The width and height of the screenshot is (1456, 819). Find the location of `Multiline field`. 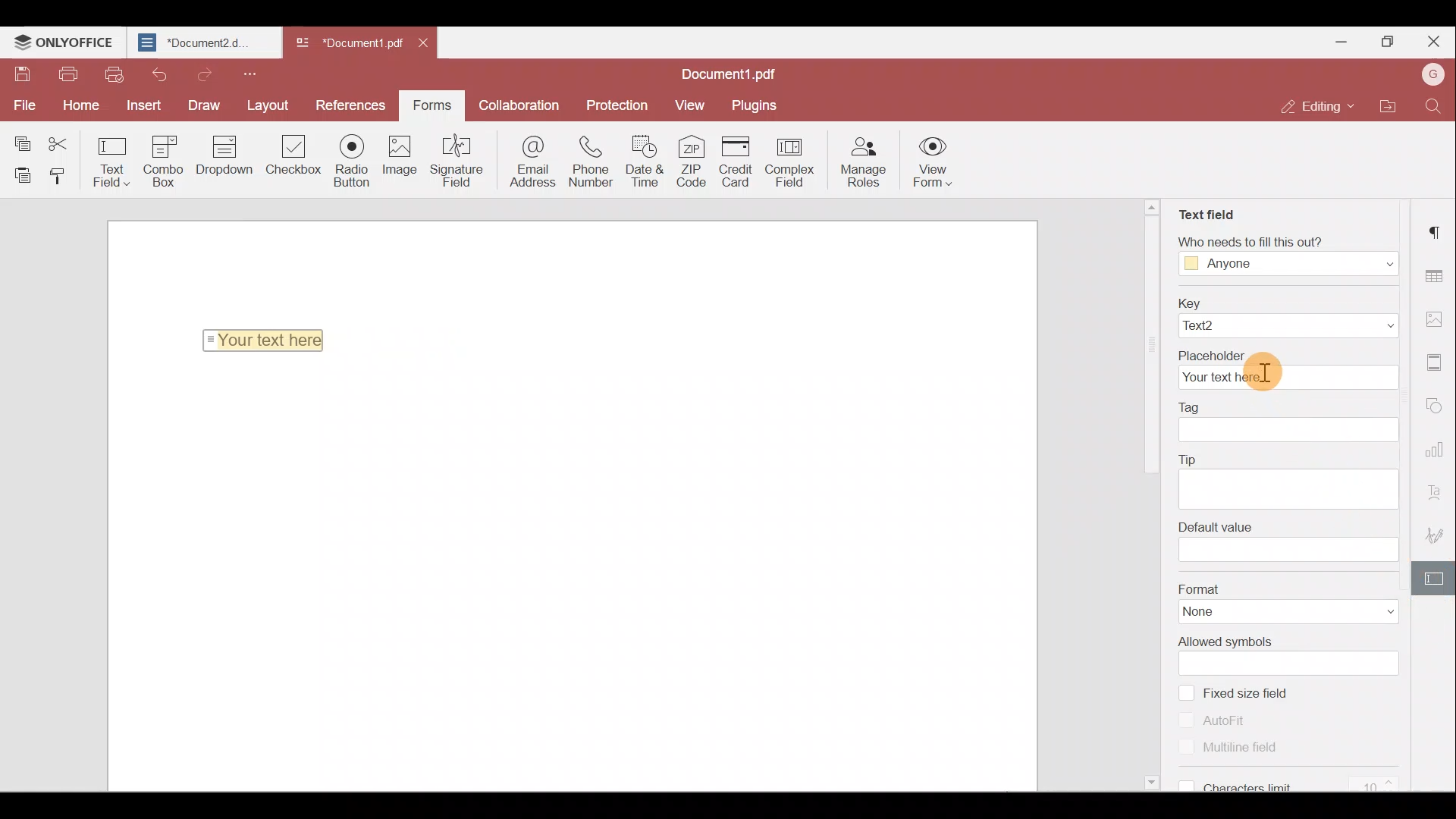

Multiline field is located at coordinates (1250, 748).